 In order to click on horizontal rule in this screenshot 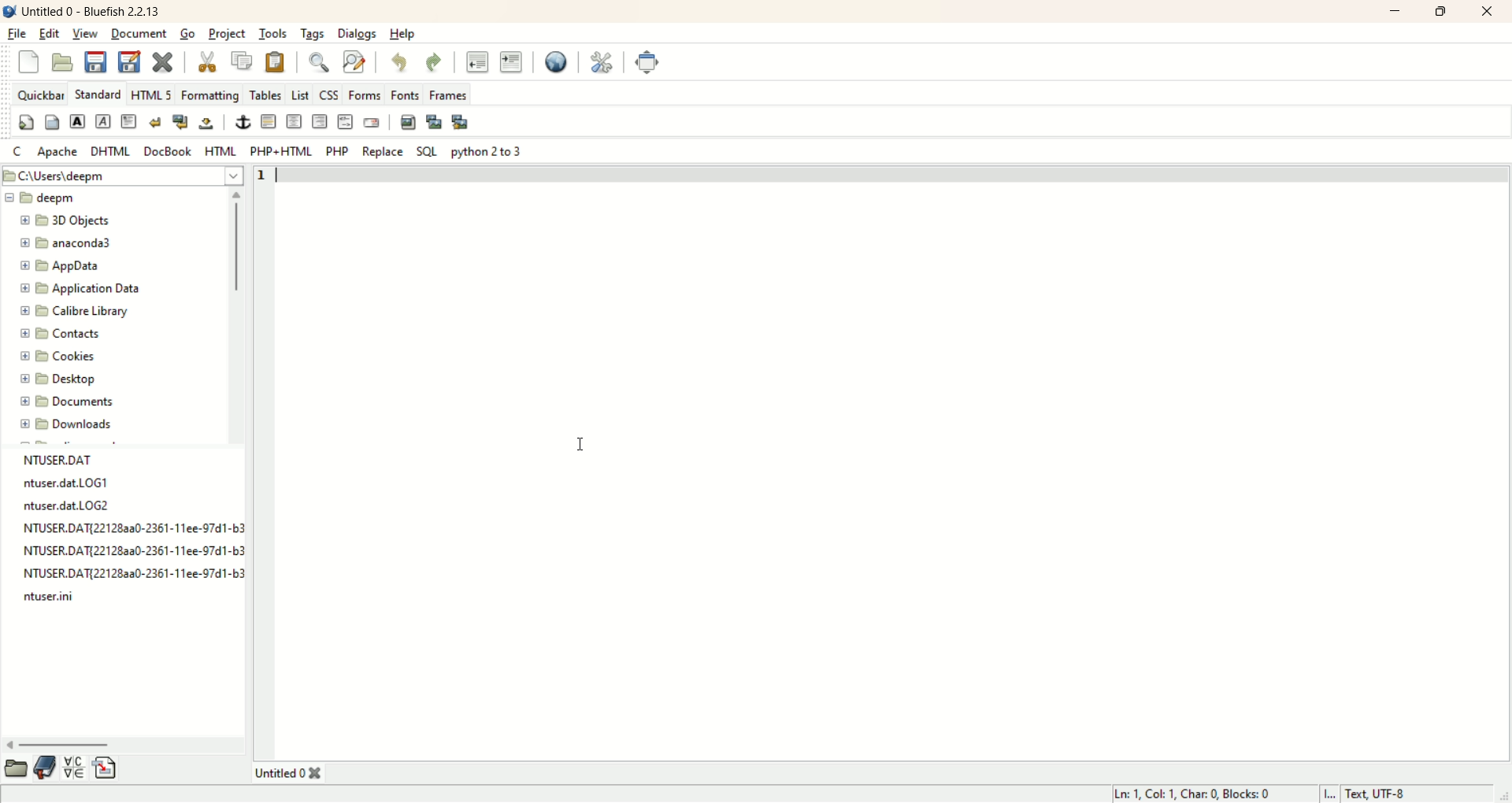, I will do `click(268, 121)`.